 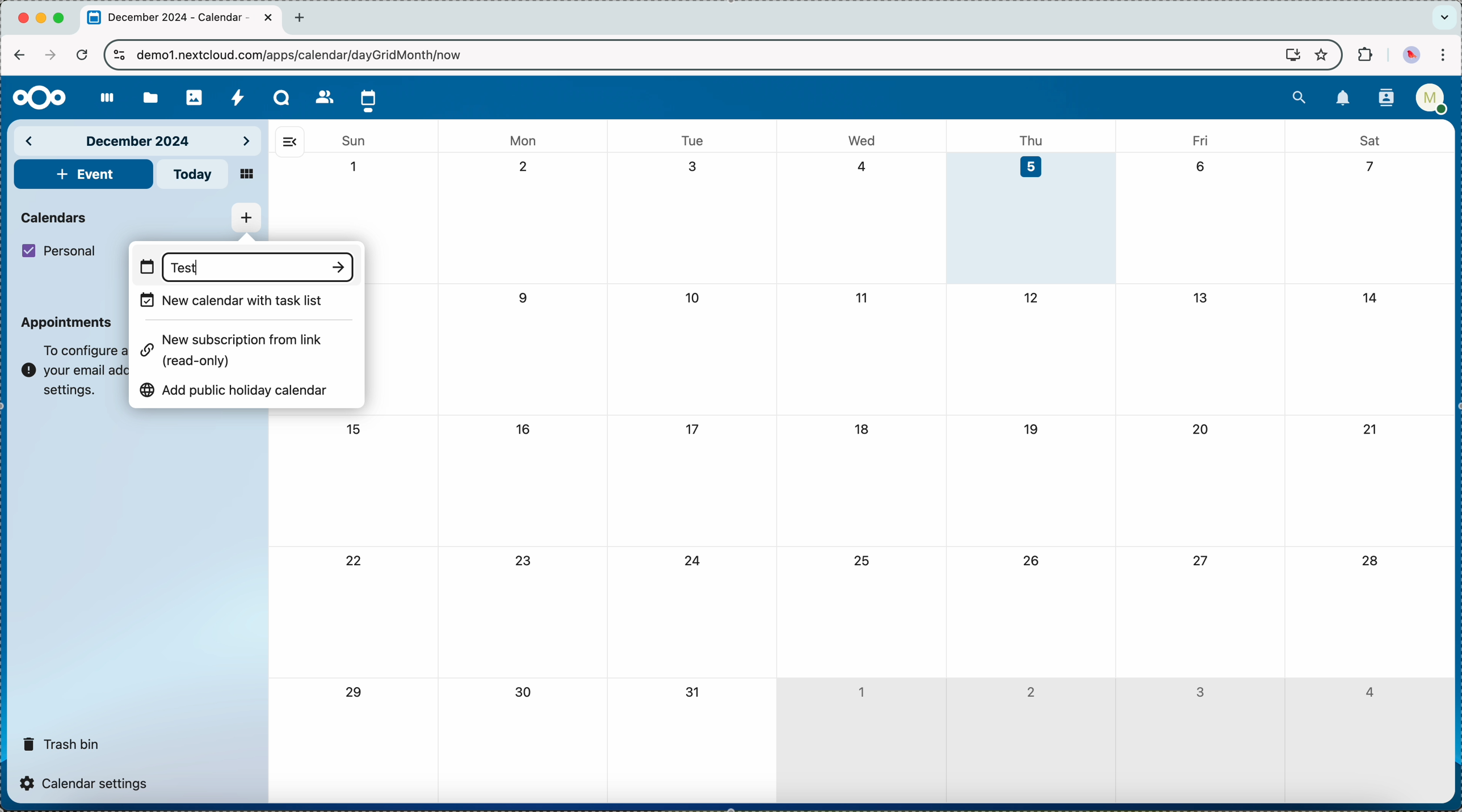 I want to click on Test calendar, so click(x=186, y=268).